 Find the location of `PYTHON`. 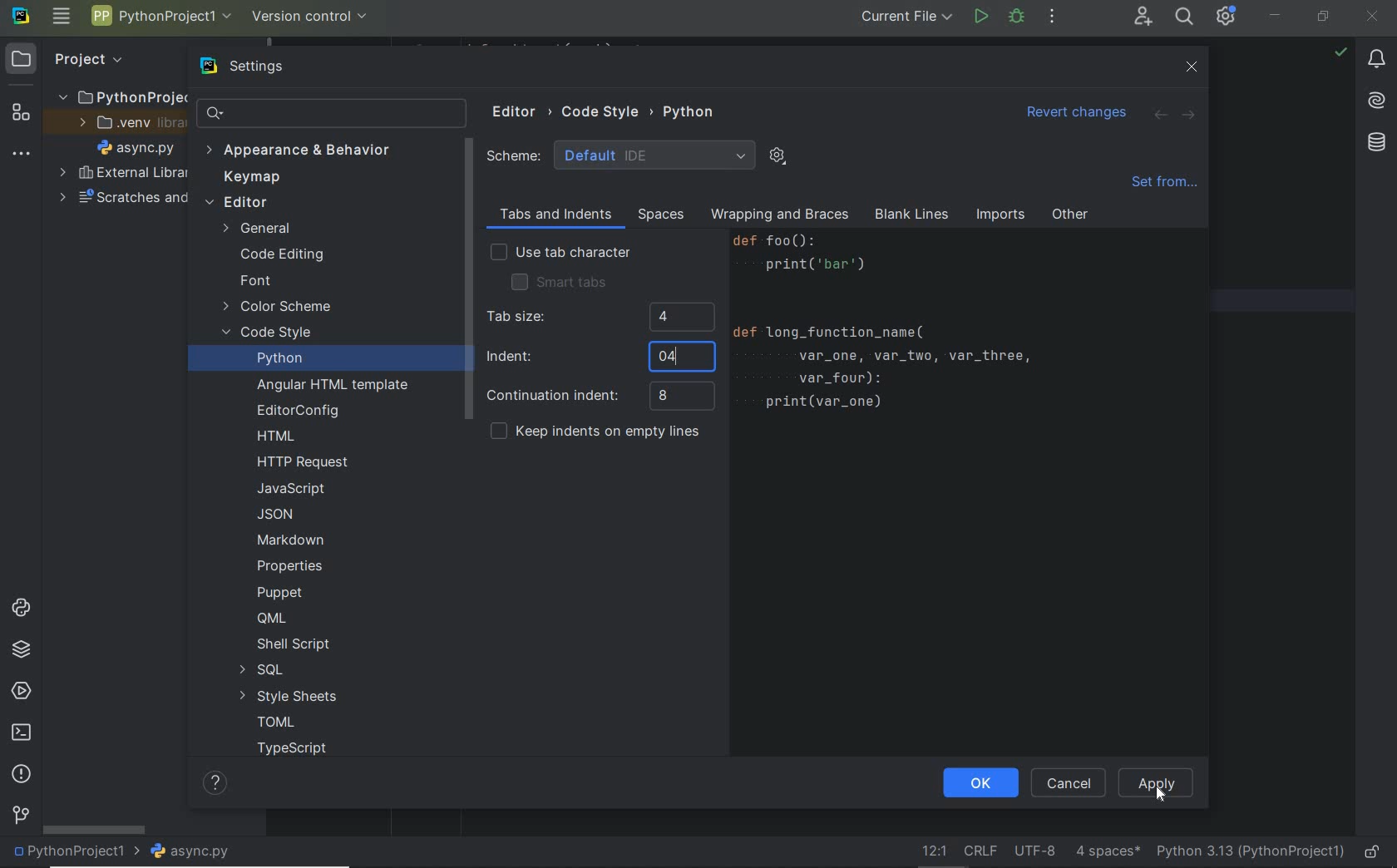

PYTHON is located at coordinates (691, 111).